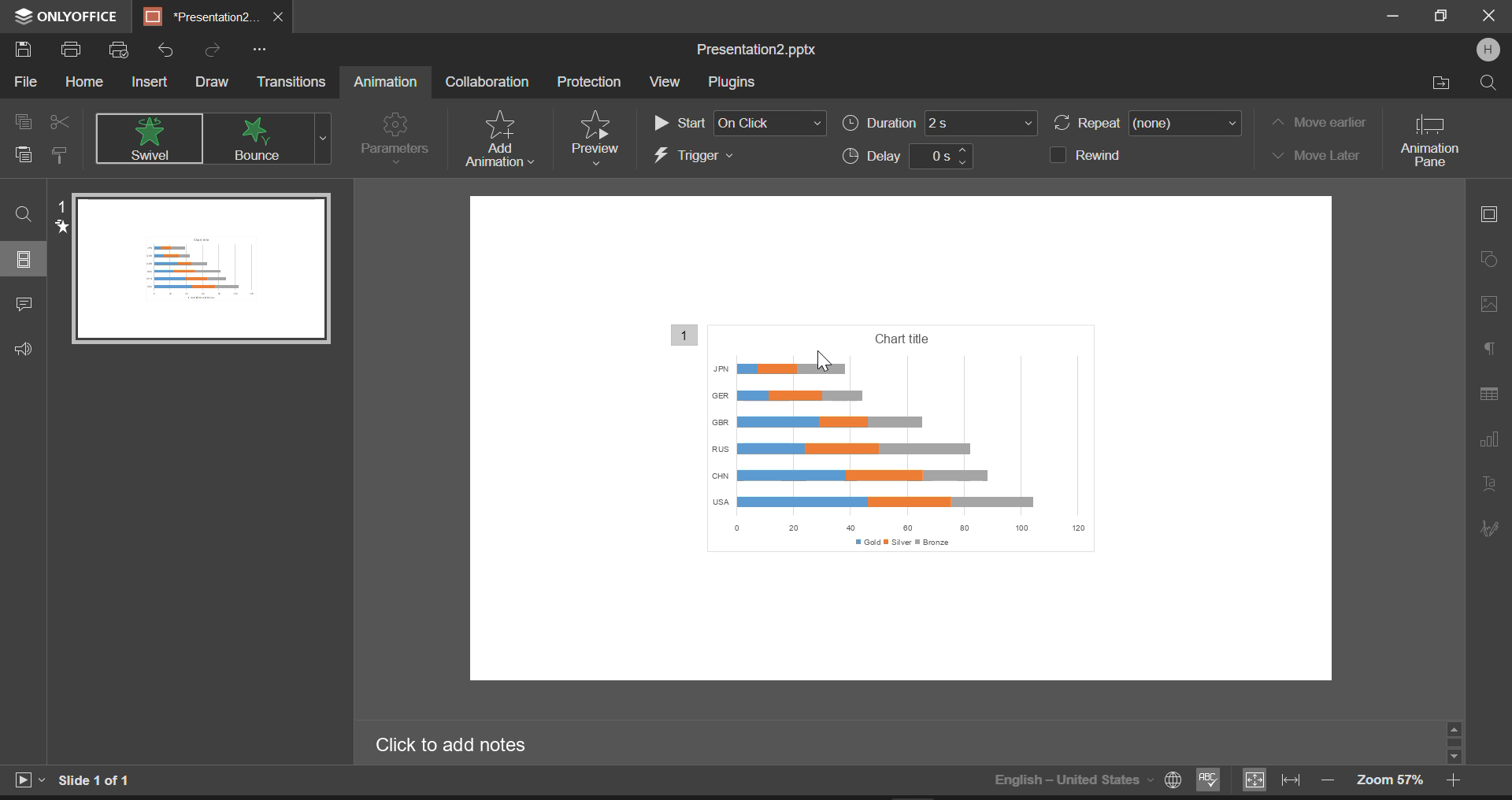  Describe the element at coordinates (83, 83) in the screenshot. I see `Home Menu` at that location.